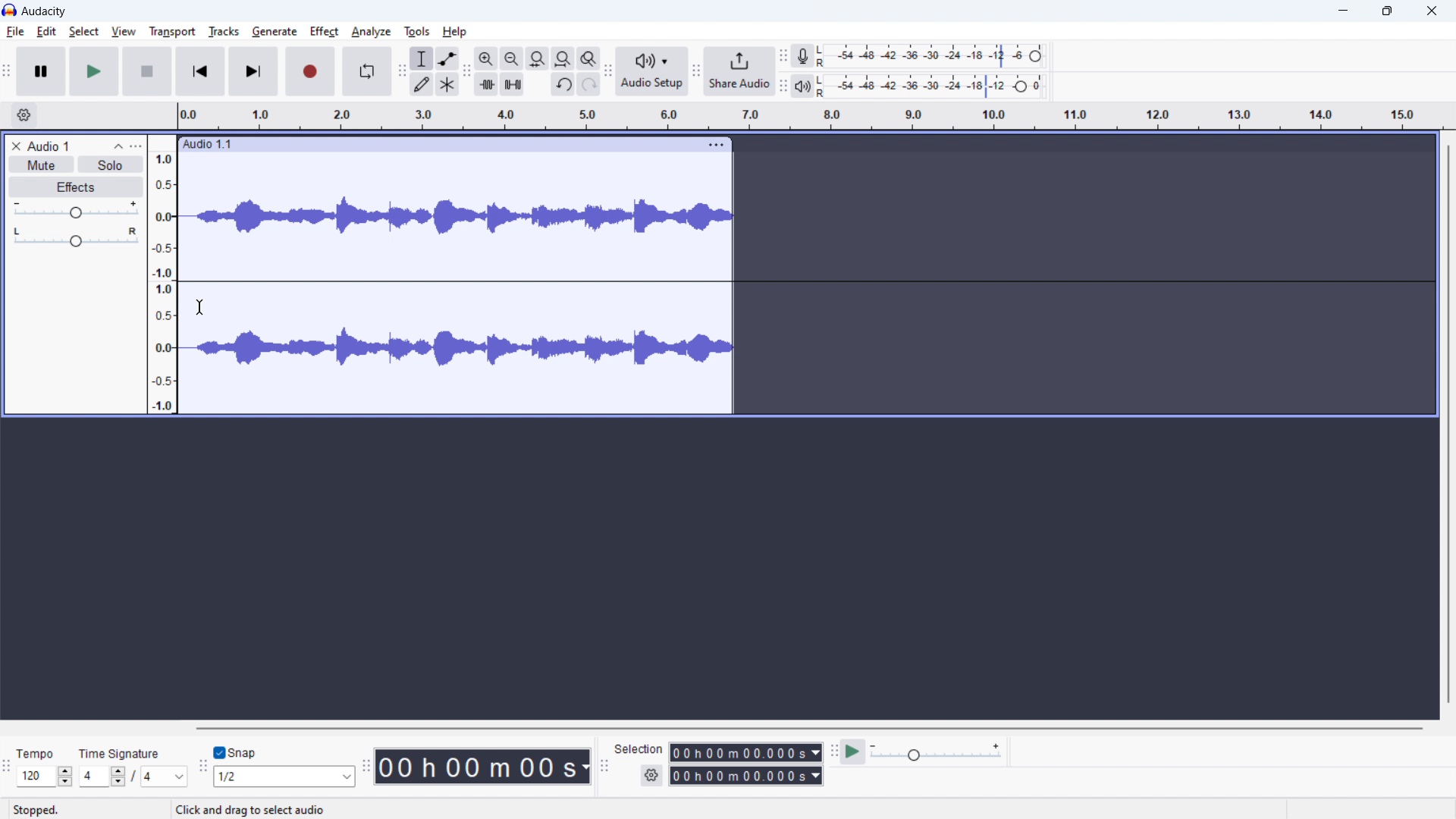 The width and height of the screenshot is (1456, 819). I want to click on pan, so click(76, 237).